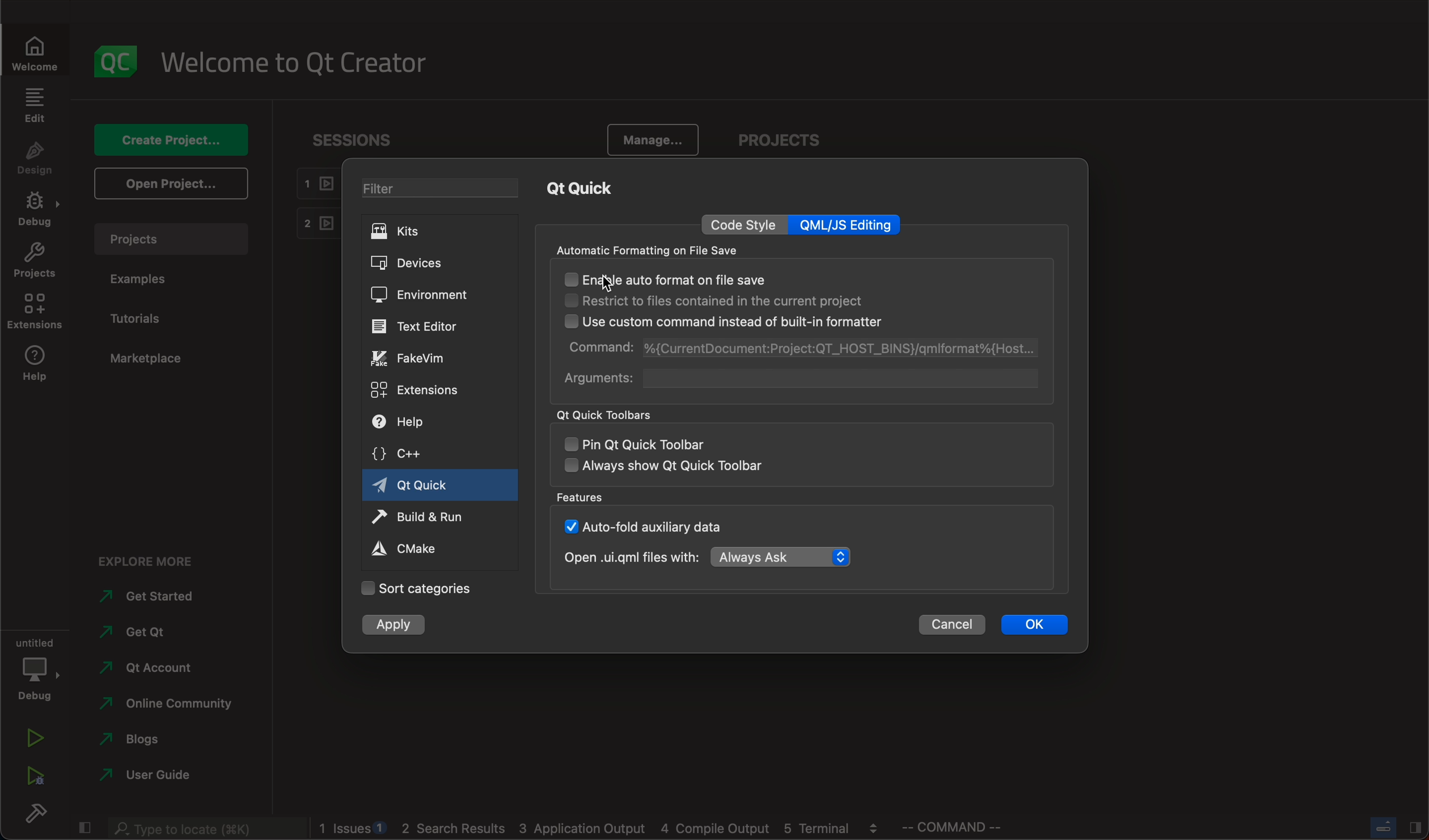 This screenshot has height=840, width=1429. I want to click on design, so click(35, 159).